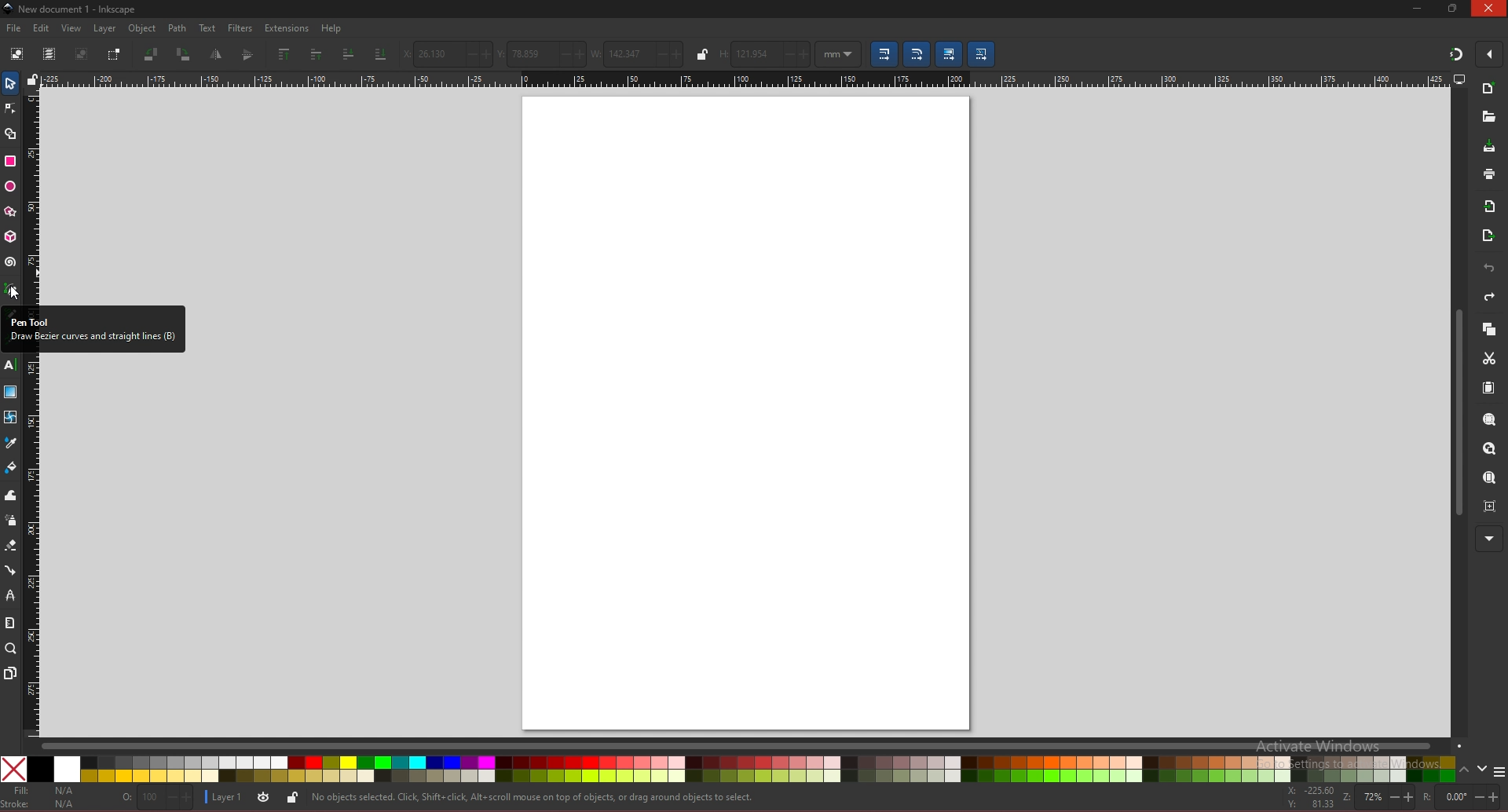  I want to click on text, so click(9, 365).